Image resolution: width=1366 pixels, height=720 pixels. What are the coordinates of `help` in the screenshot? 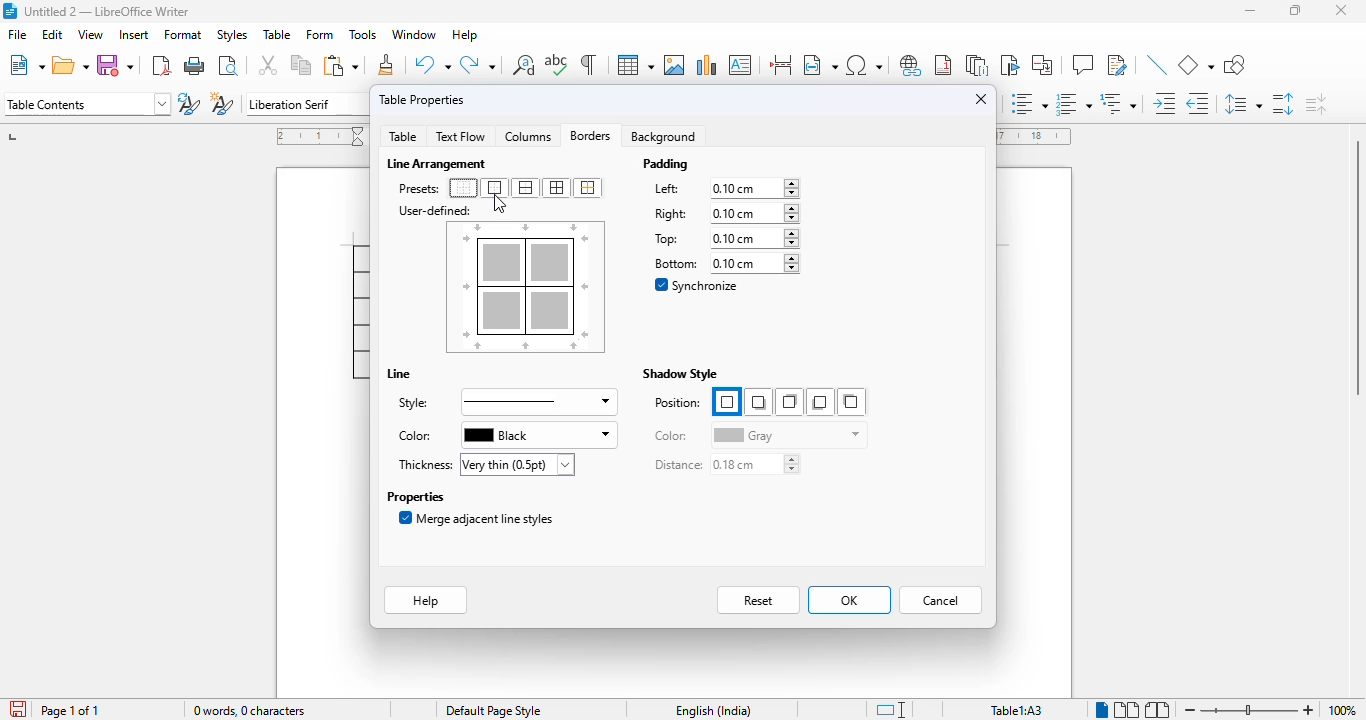 It's located at (426, 600).